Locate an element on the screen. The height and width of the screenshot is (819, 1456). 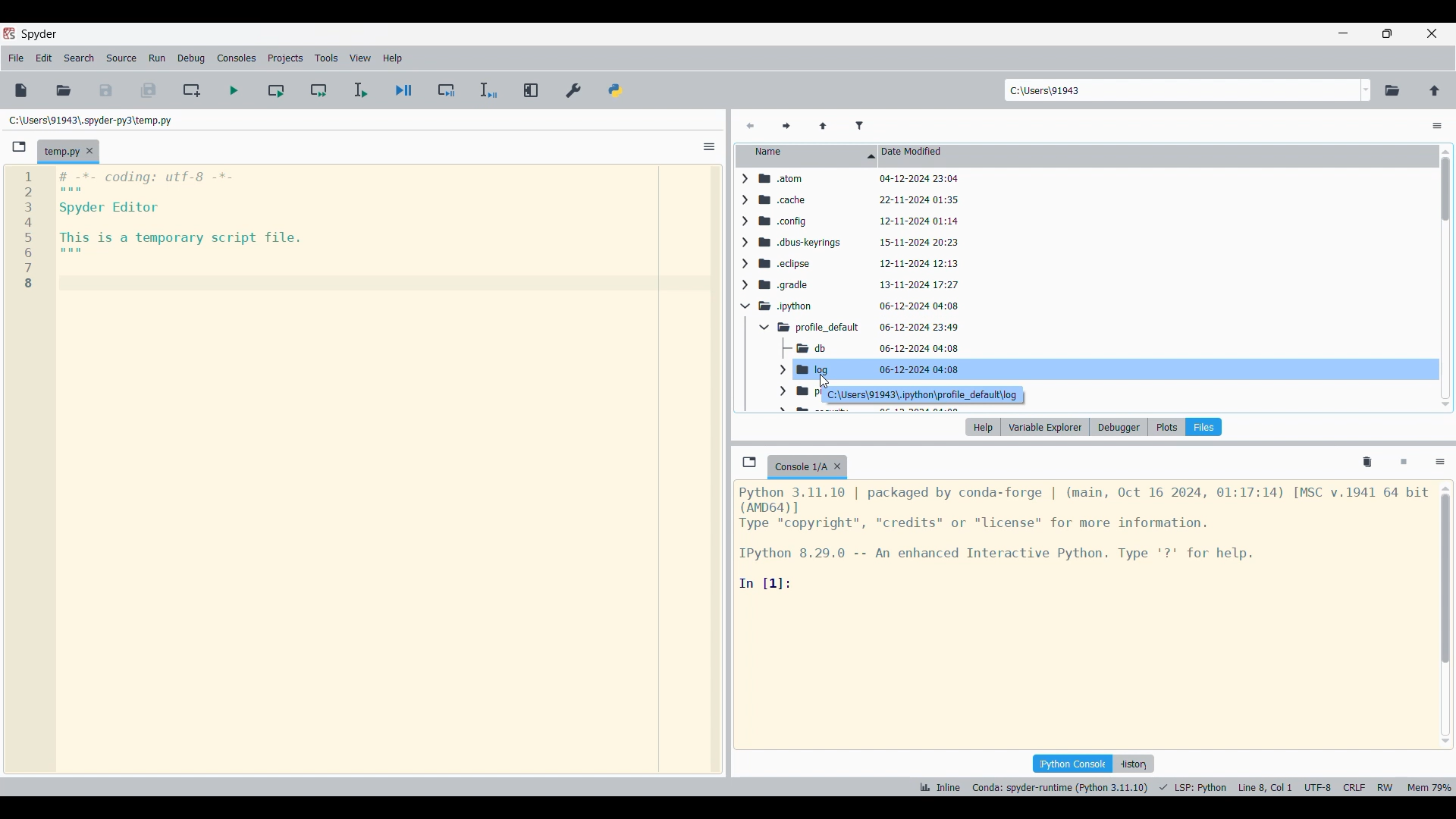
Files highlighted as current selection is located at coordinates (1203, 427).